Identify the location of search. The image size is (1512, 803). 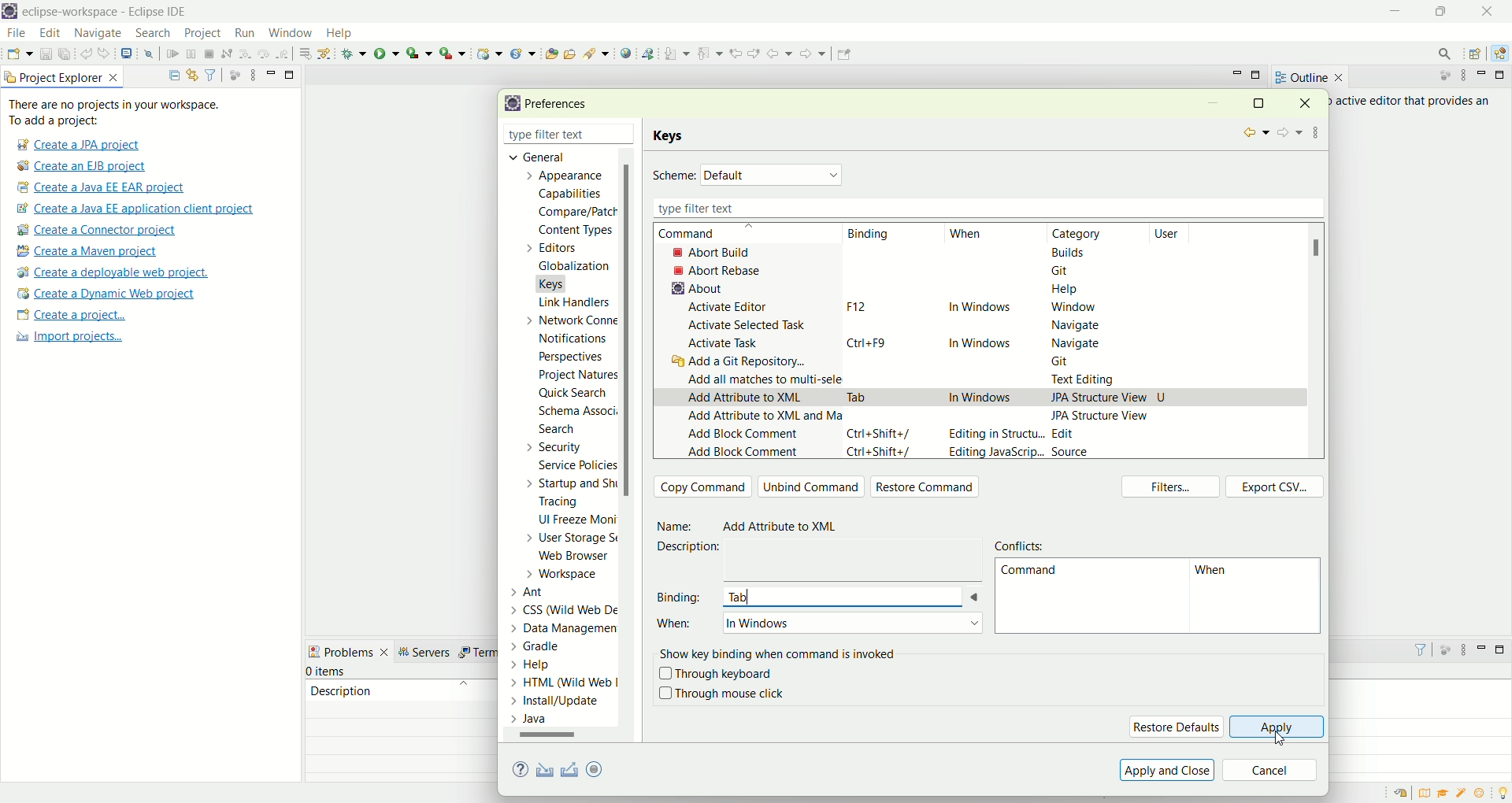
(597, 53).